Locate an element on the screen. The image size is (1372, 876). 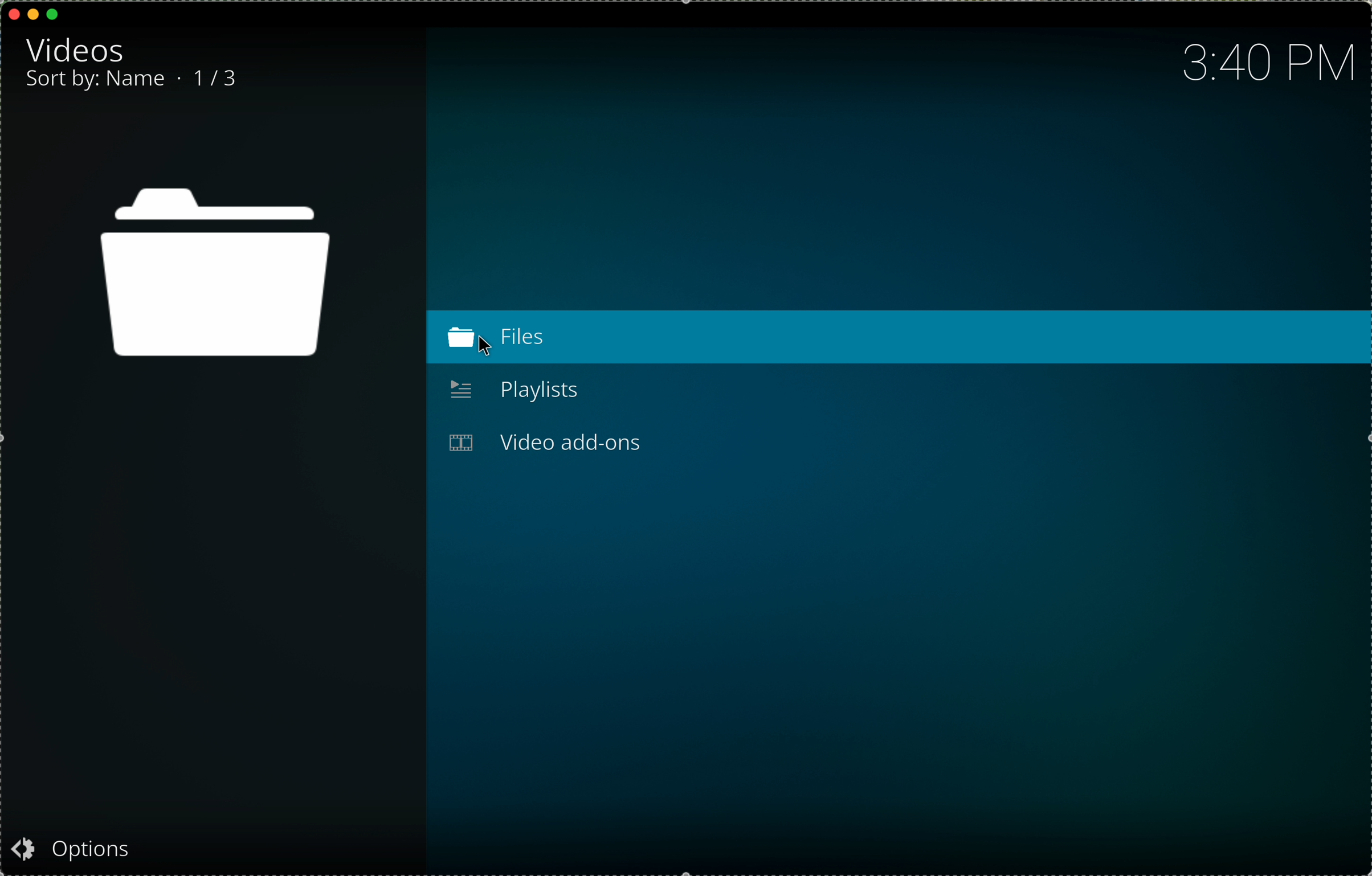
maximise is located at coordinates (54, 14).